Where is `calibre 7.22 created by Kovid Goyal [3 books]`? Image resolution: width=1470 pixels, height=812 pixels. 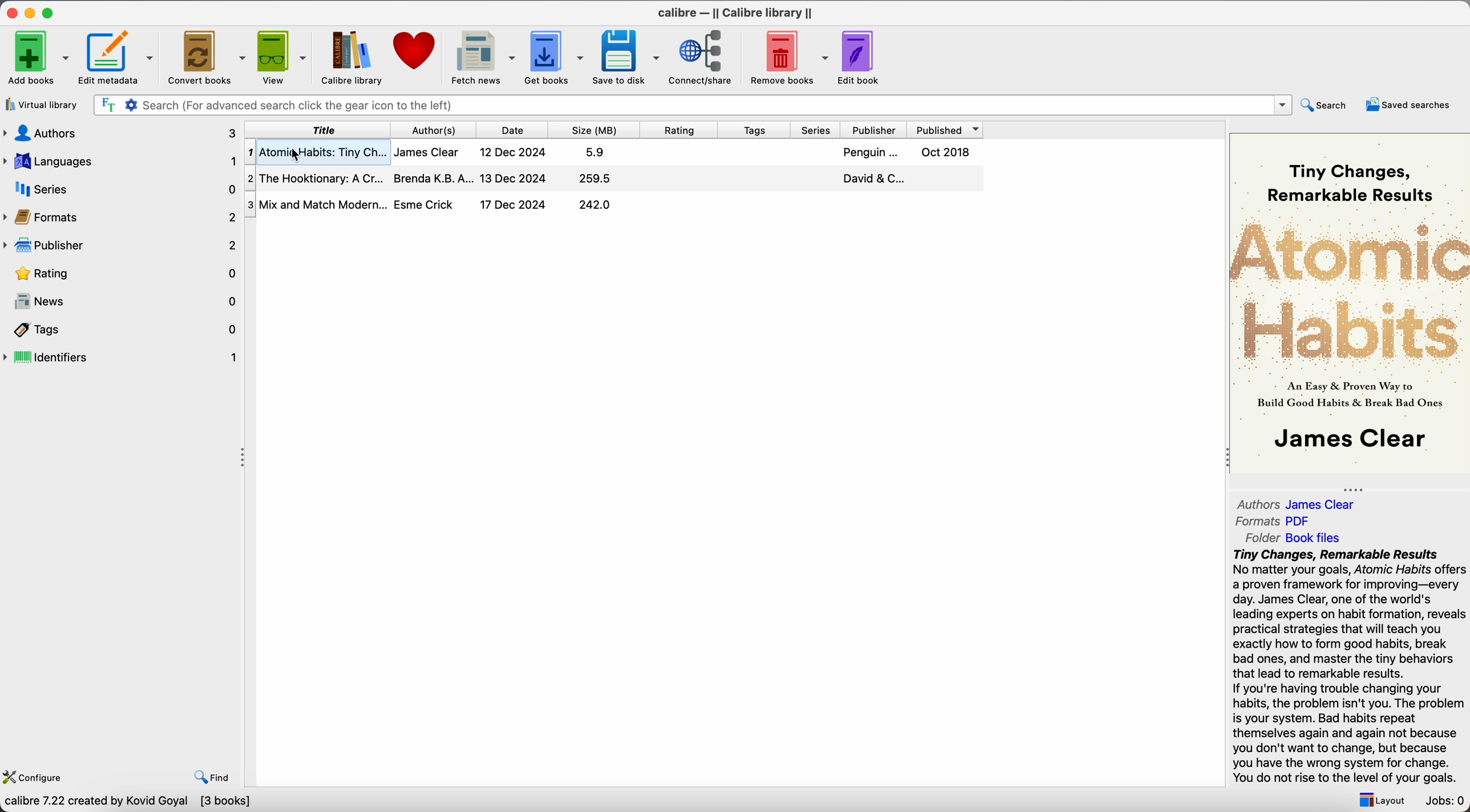 calibre 7.22 created by Kovid Goyal [3 books] is located at coordinates (131, 802).